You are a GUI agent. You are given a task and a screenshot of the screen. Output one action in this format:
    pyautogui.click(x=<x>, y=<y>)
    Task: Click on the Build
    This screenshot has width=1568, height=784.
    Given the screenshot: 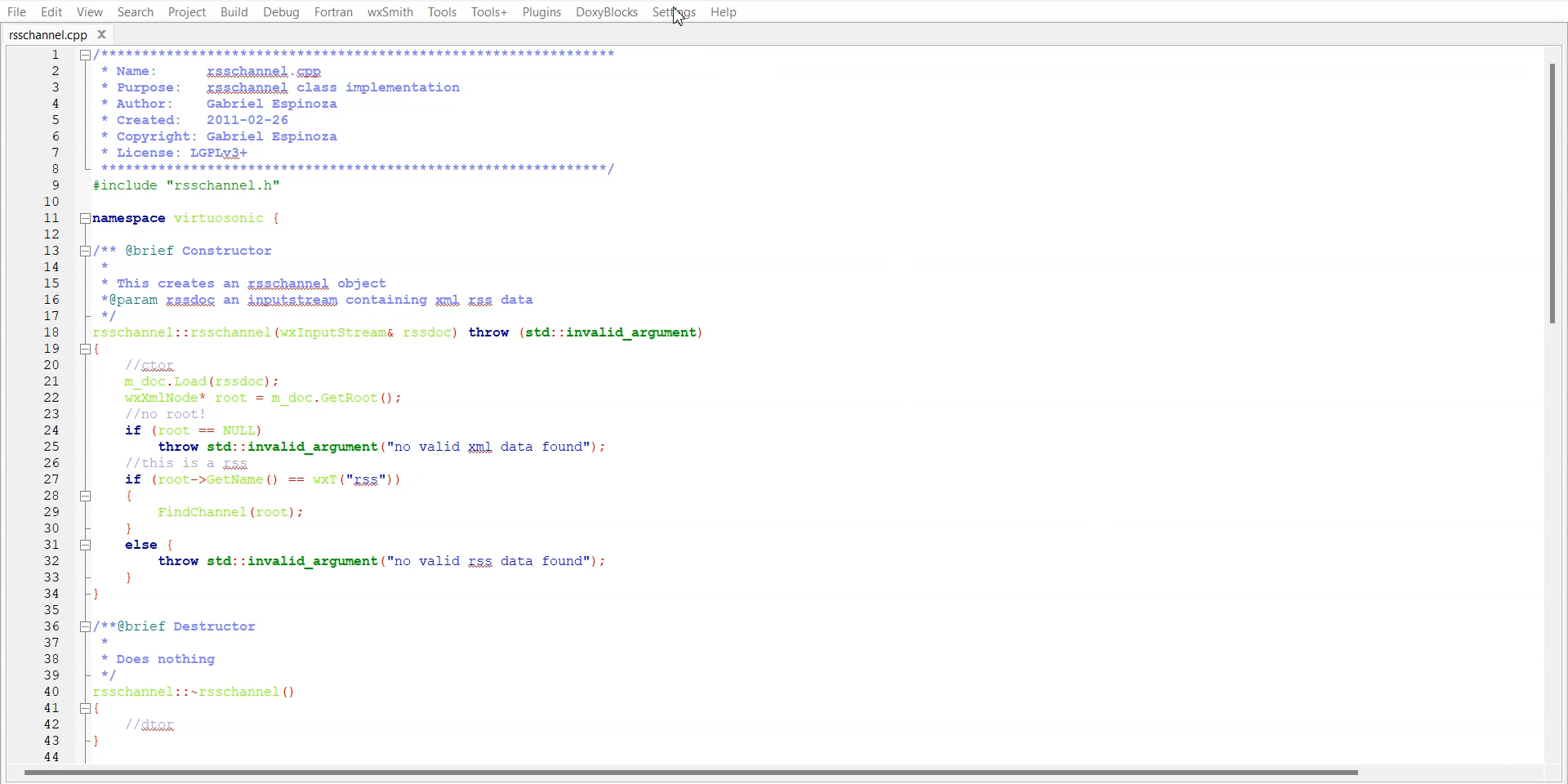 What is the action you would take?
    pyautogui.click(x=234, y=11)
    